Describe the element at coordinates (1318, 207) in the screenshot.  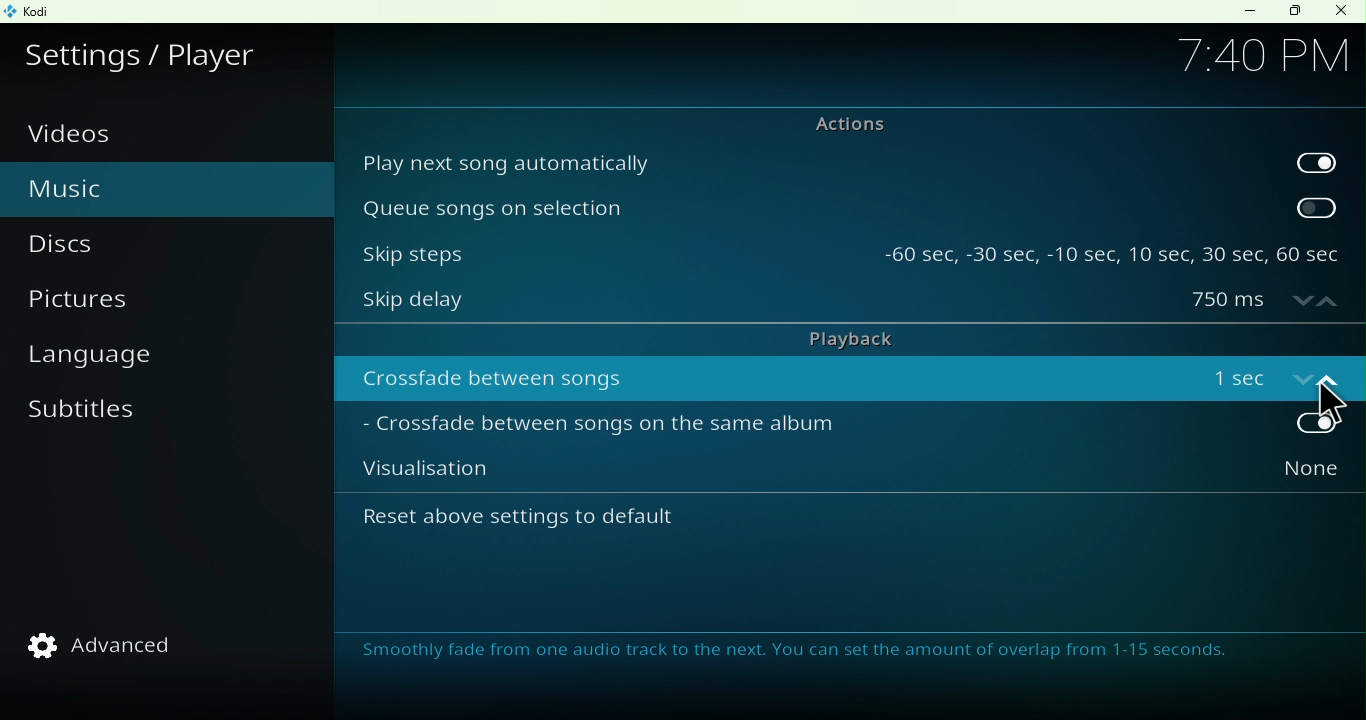
I see `toggle` at that location.